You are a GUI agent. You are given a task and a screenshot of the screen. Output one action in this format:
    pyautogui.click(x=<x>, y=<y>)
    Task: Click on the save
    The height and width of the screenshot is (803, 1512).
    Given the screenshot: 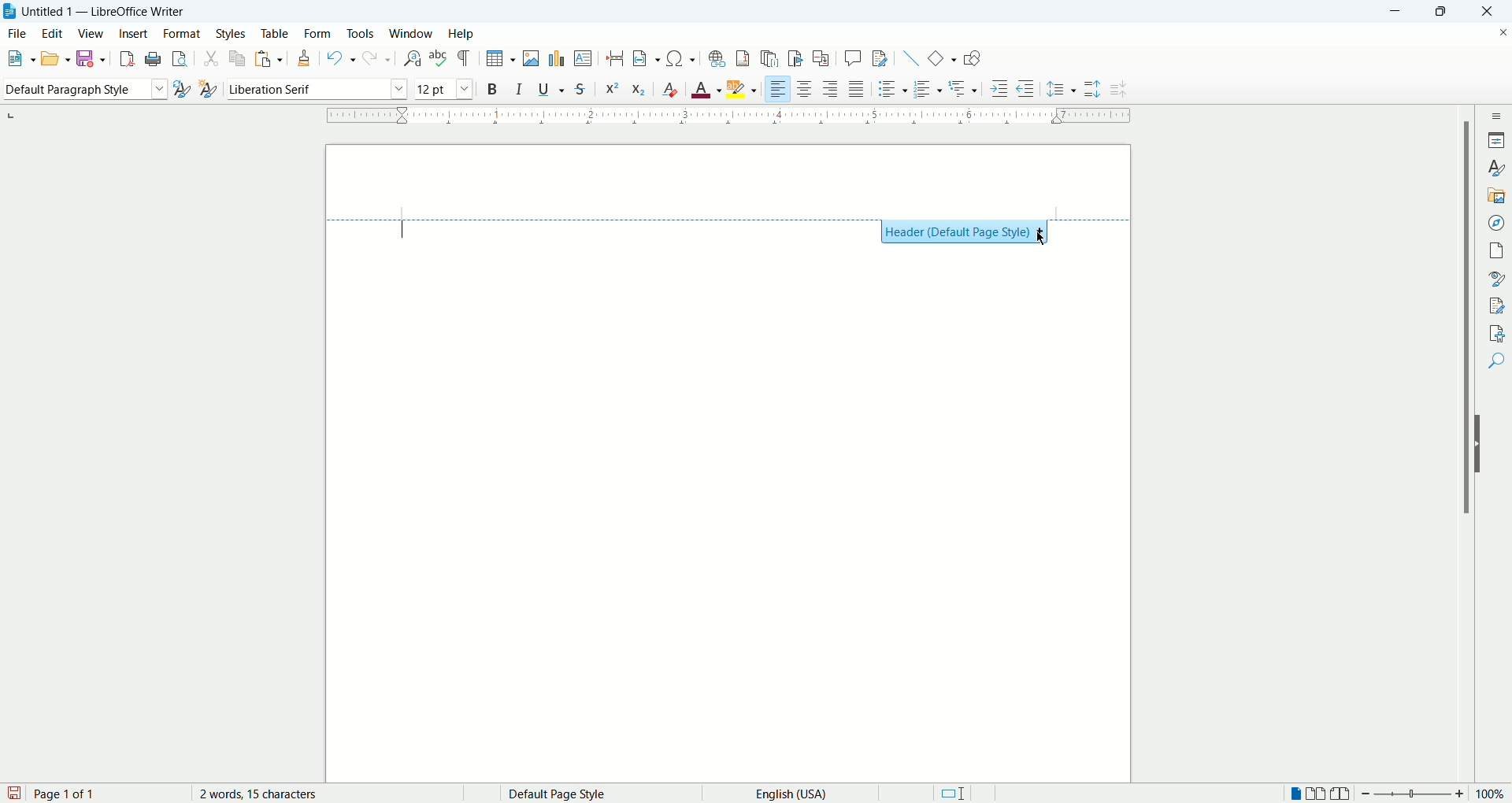 What is the action you would take?
    pyautogui.click(x=93, y=58)
    